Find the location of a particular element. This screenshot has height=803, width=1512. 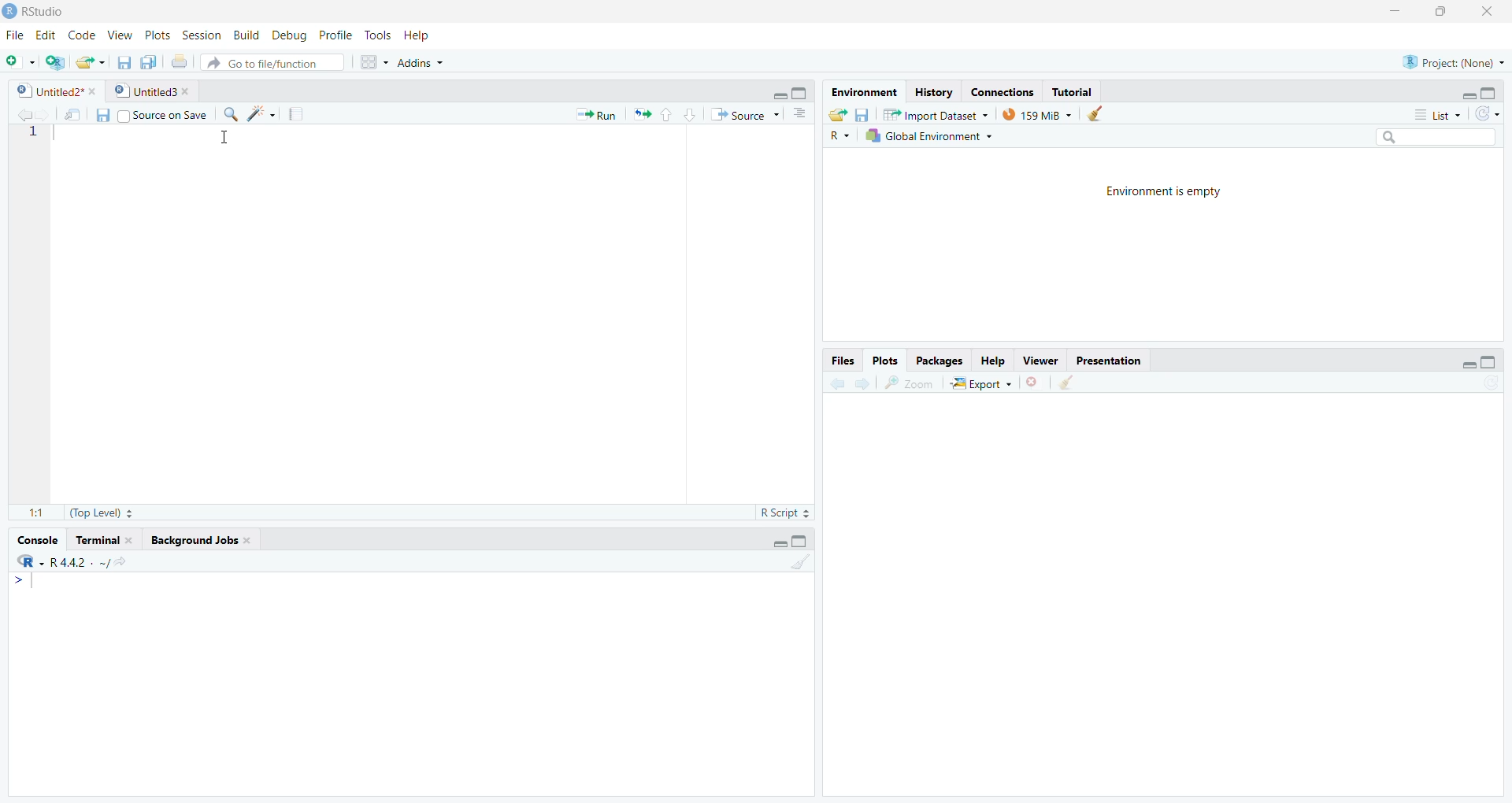

Tools is located at coordinates (376, 33).